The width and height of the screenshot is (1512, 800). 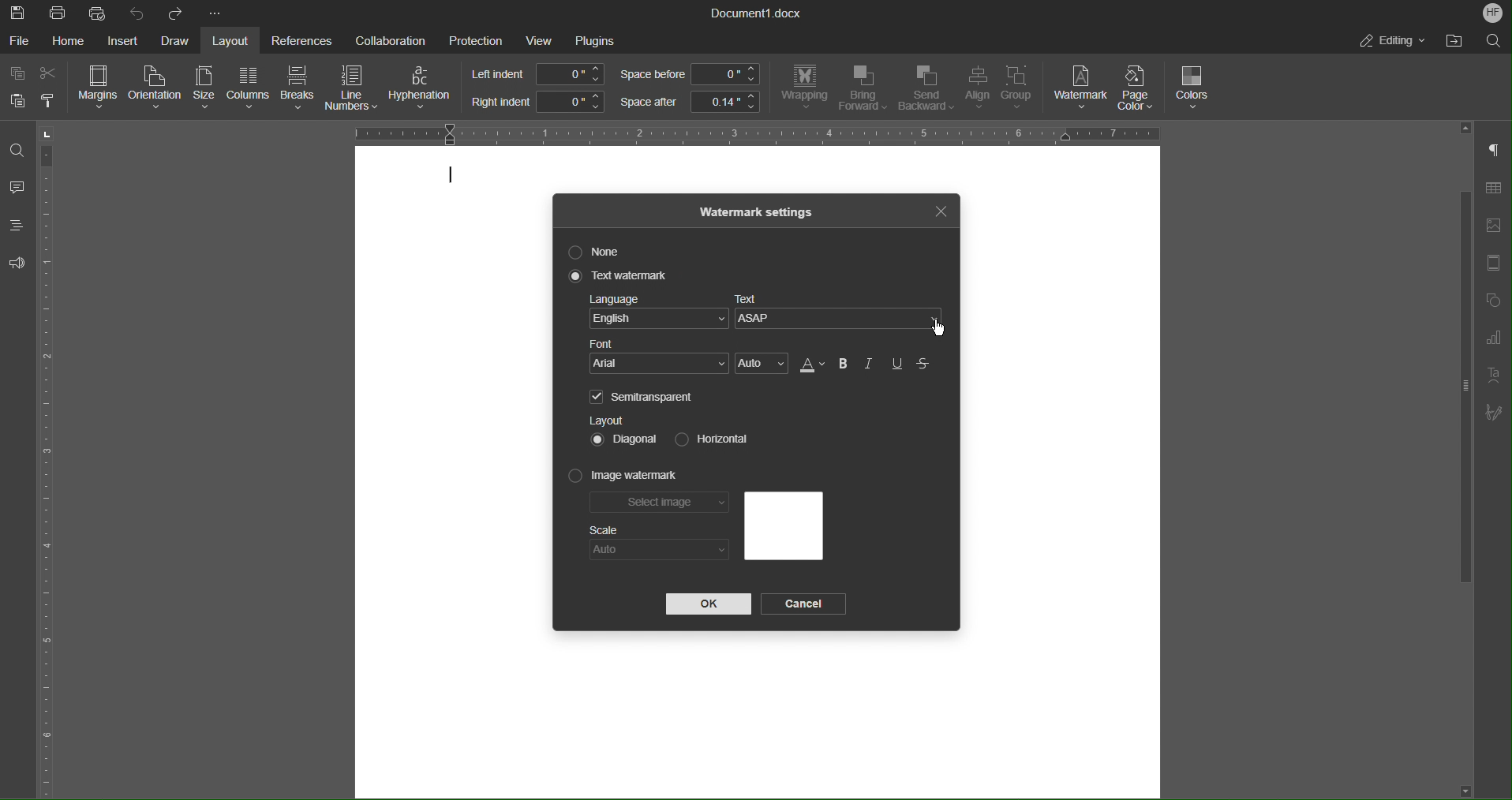 I want to click on Layout, so click(x=234, y=40).